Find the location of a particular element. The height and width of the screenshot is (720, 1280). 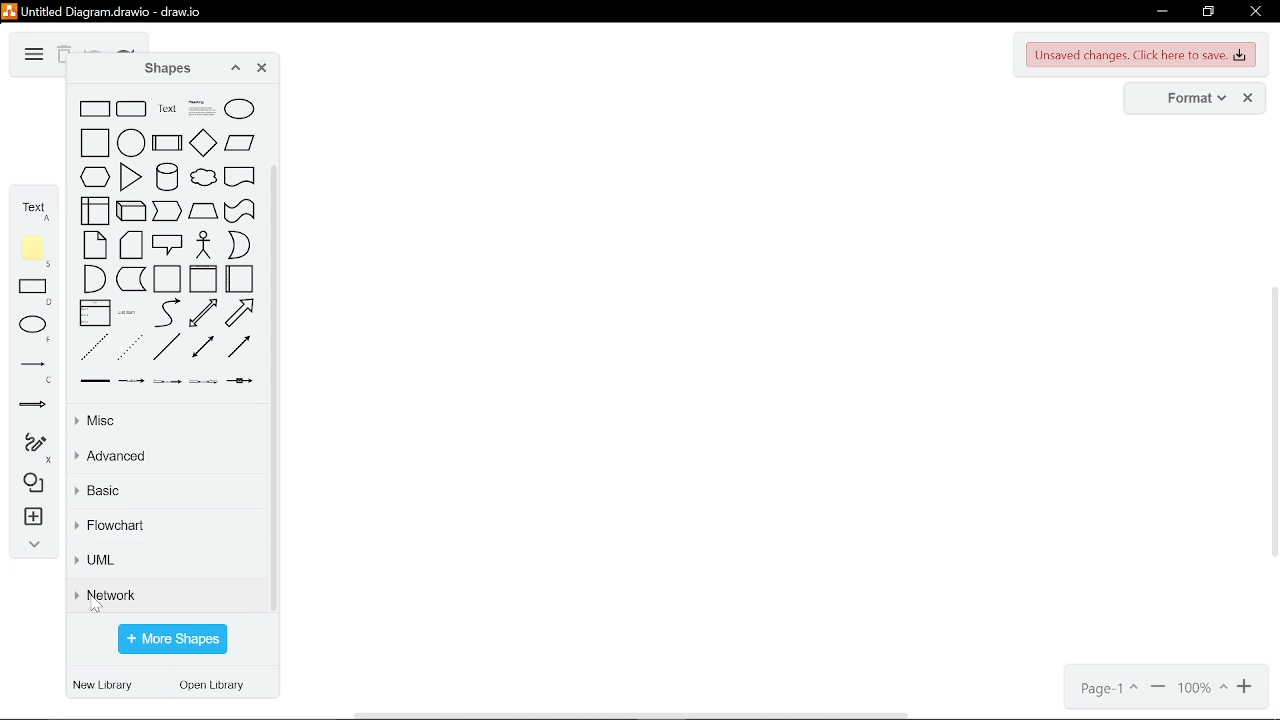

Misc is located at coordinates (165, 422).